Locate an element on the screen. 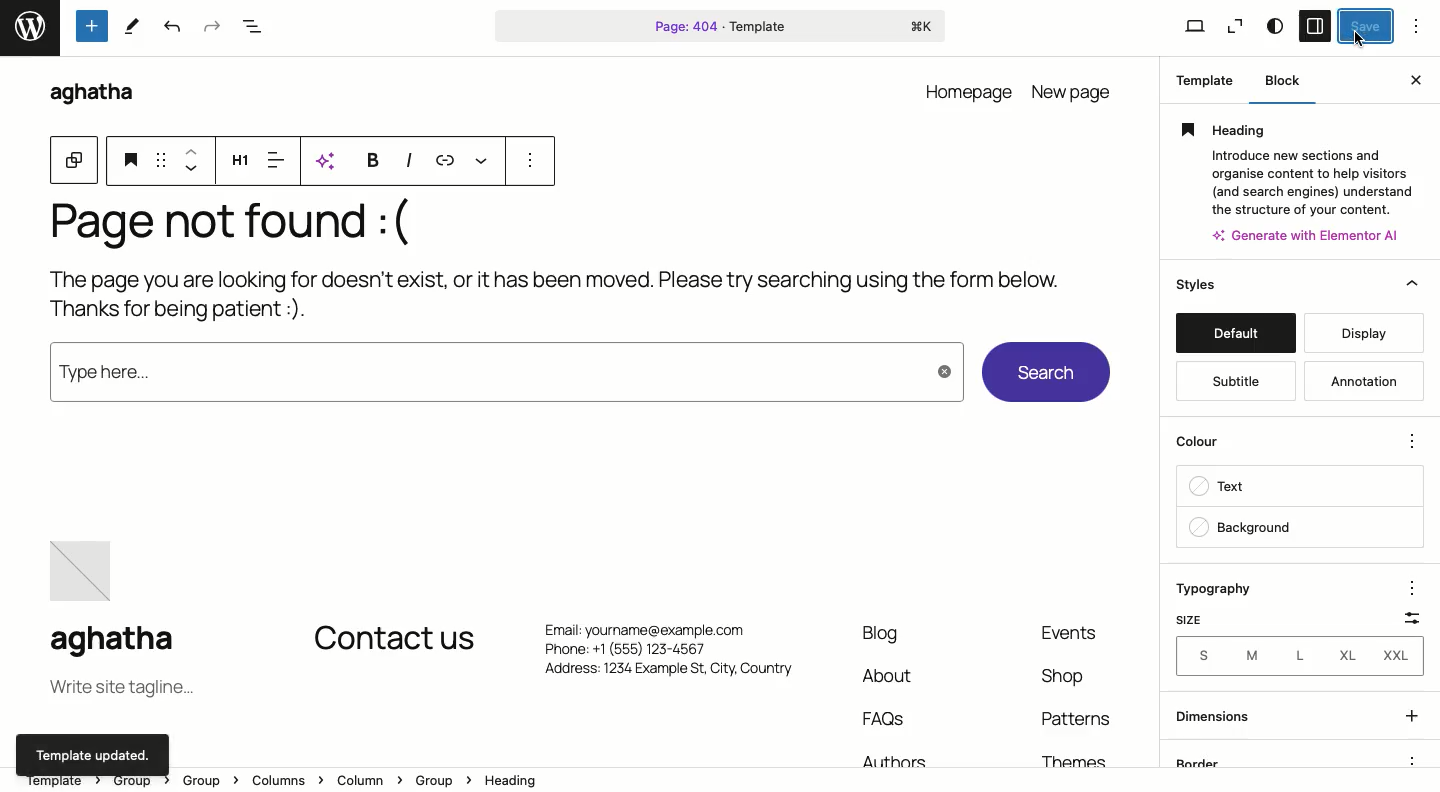  Heading is located at coordinates (131, 158).